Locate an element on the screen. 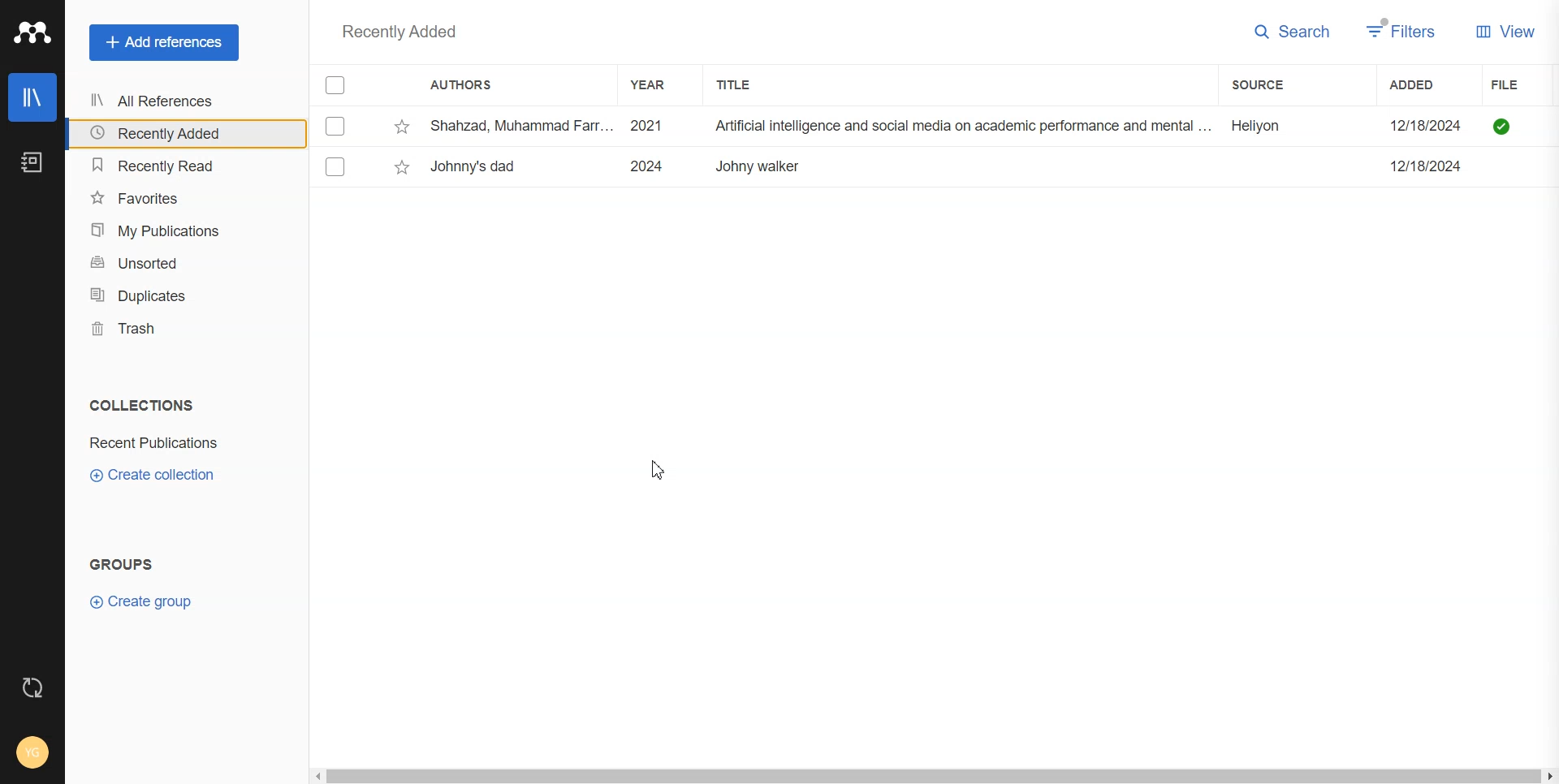 This screenshot has width=1559, height=784. Unsorted is located at coordinates (181, 263).